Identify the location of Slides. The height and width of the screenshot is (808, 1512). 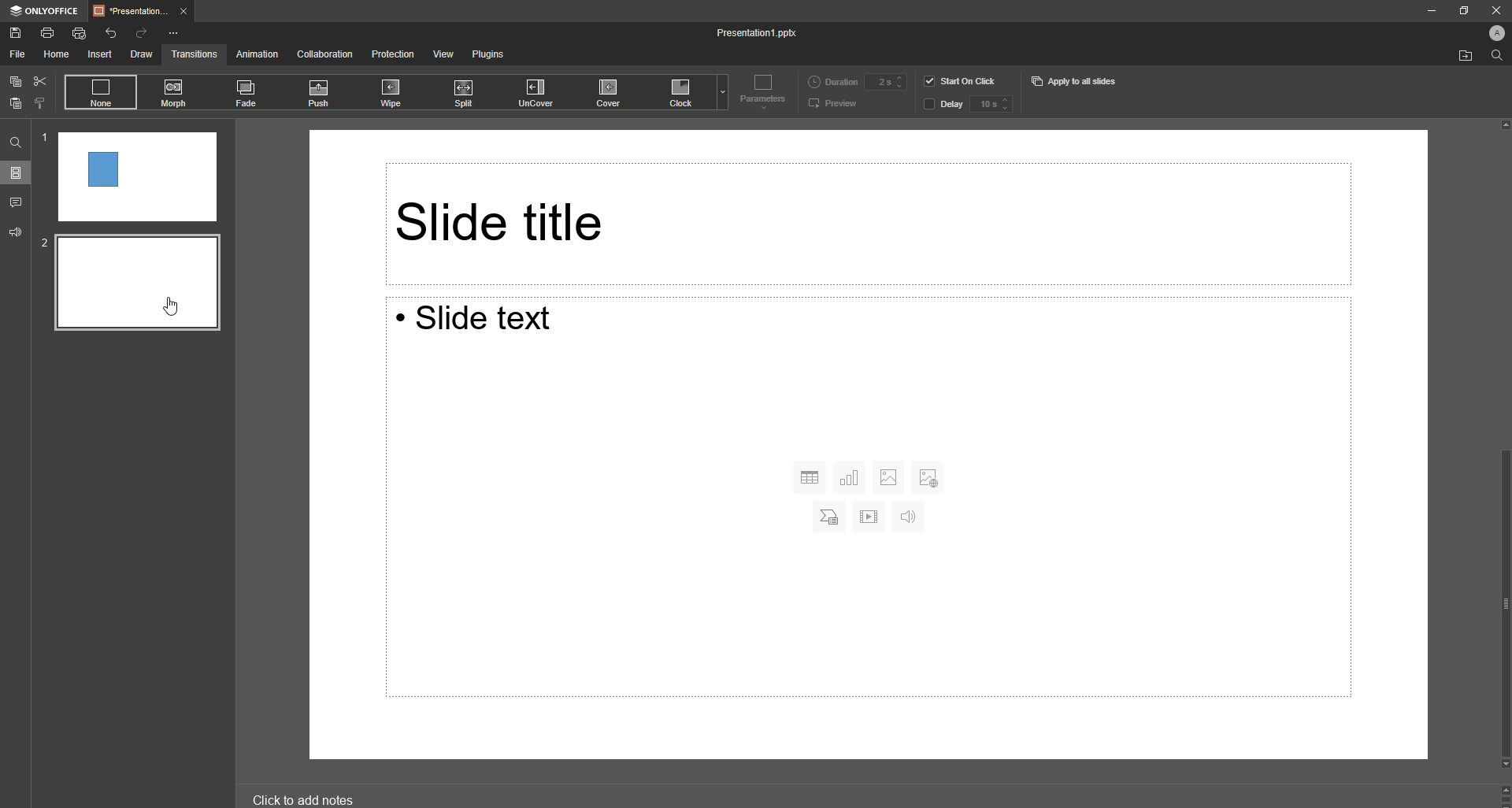
(16, 172).